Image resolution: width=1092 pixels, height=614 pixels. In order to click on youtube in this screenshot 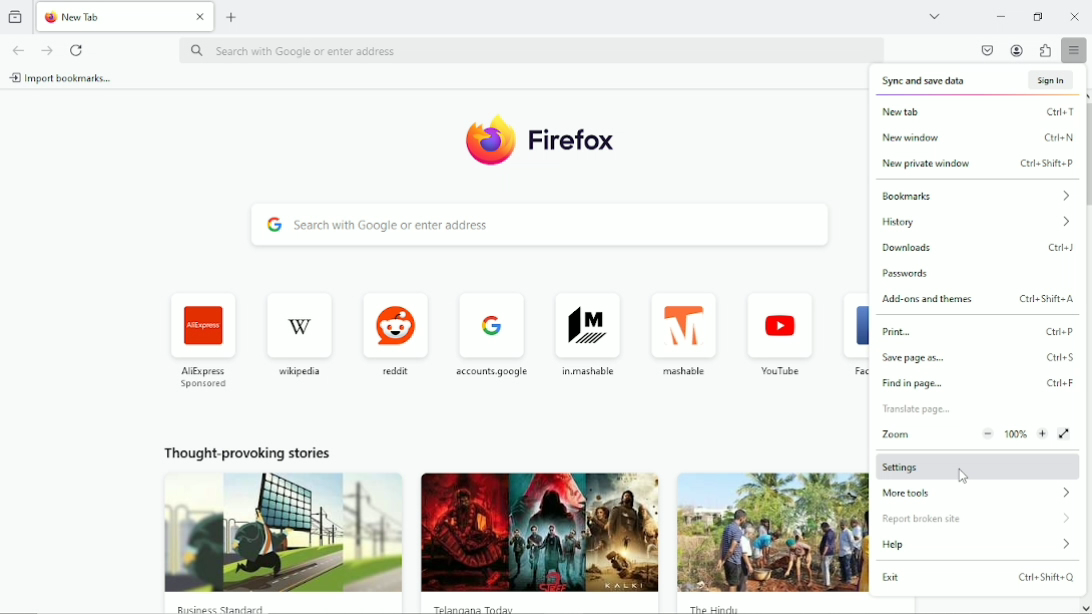, I will do `click(781, 332)`.